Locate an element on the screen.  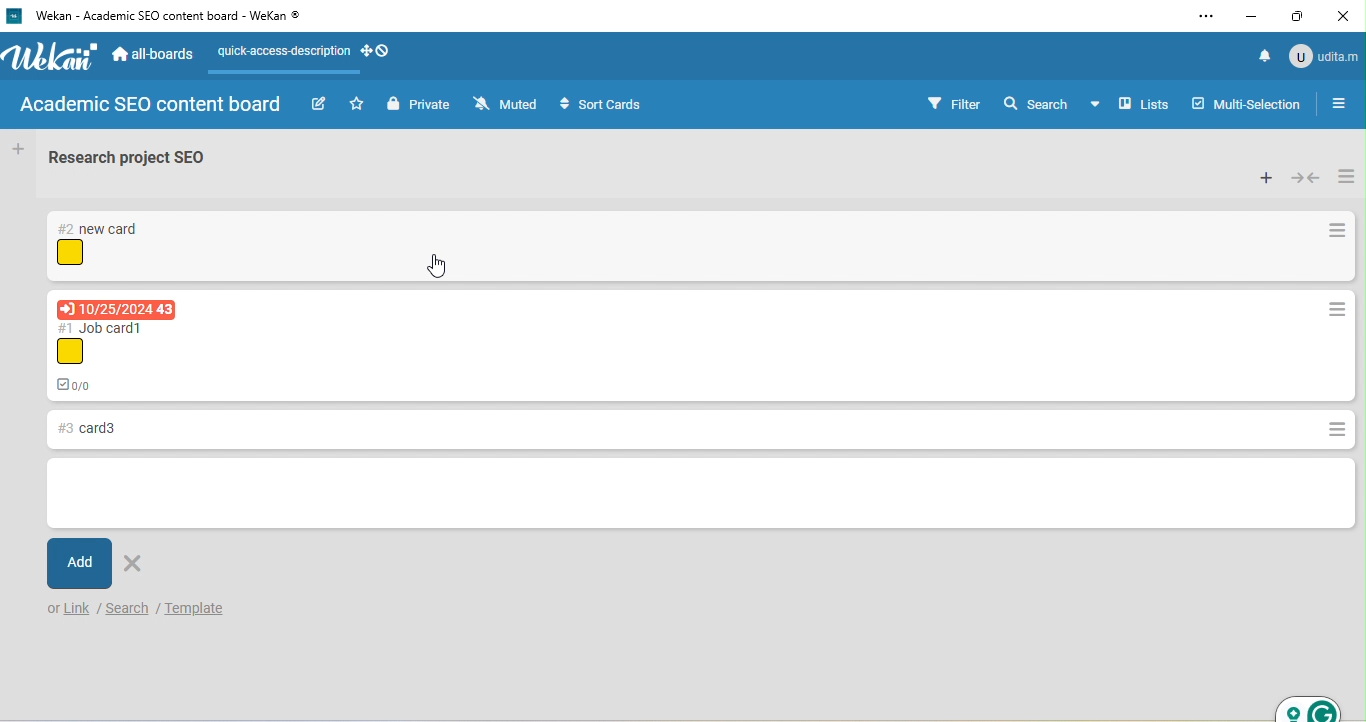
0/0 is located at coordinates (81, 383).